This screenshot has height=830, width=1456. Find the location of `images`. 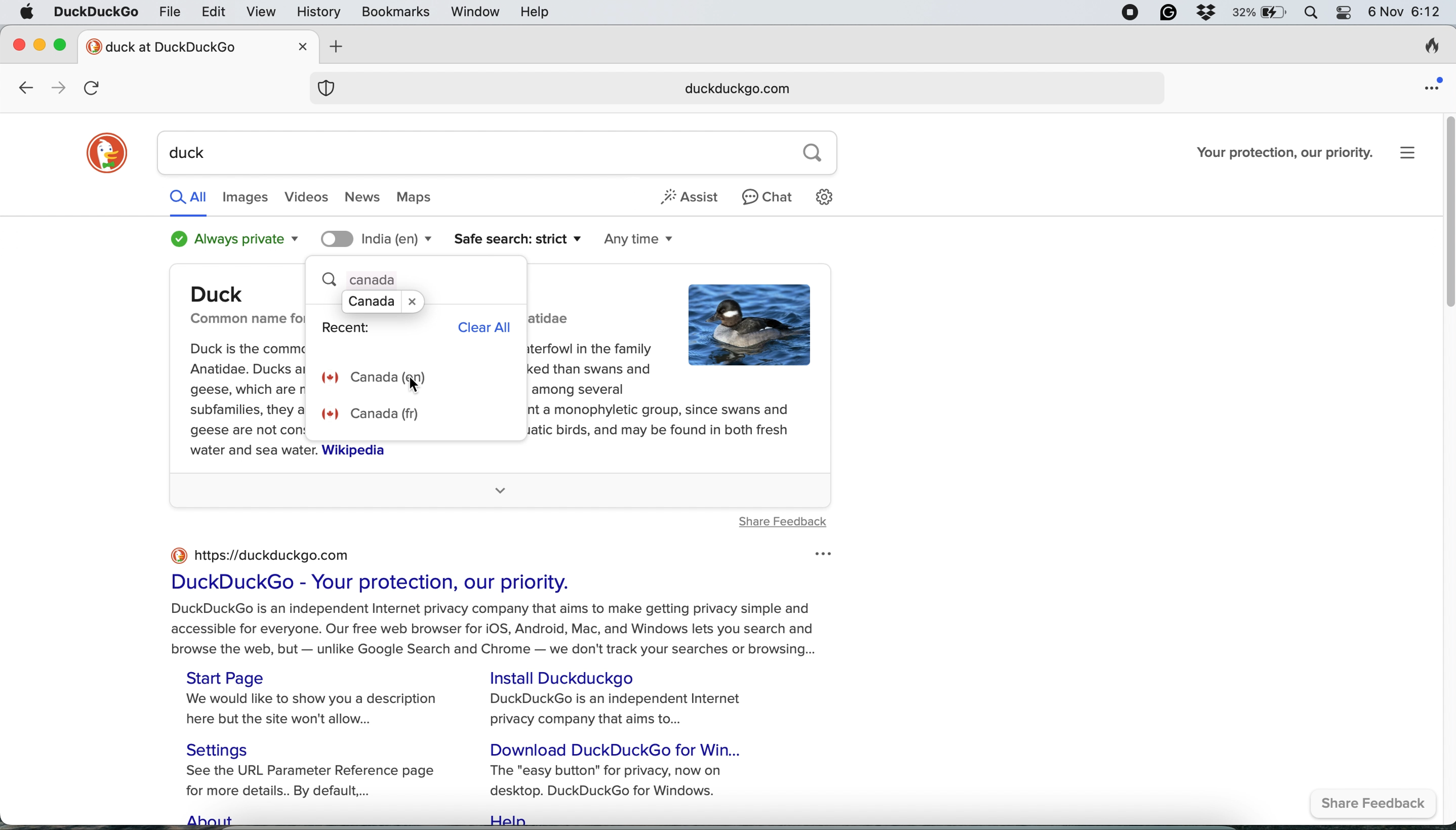

images is located at coordinates (245, 198).